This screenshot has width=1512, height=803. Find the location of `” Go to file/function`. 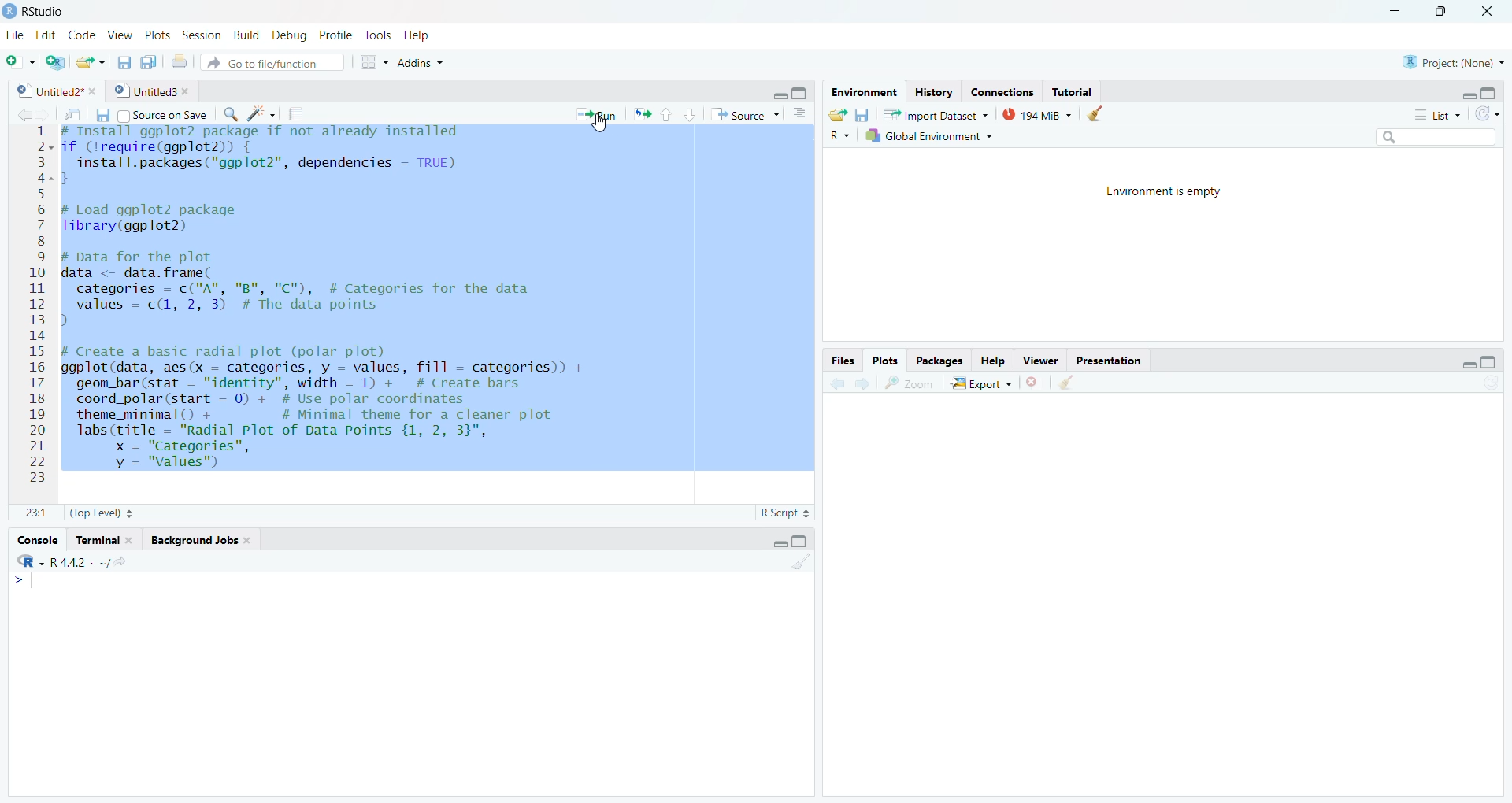

” Go to file/function is located at coordinates (276, 62).